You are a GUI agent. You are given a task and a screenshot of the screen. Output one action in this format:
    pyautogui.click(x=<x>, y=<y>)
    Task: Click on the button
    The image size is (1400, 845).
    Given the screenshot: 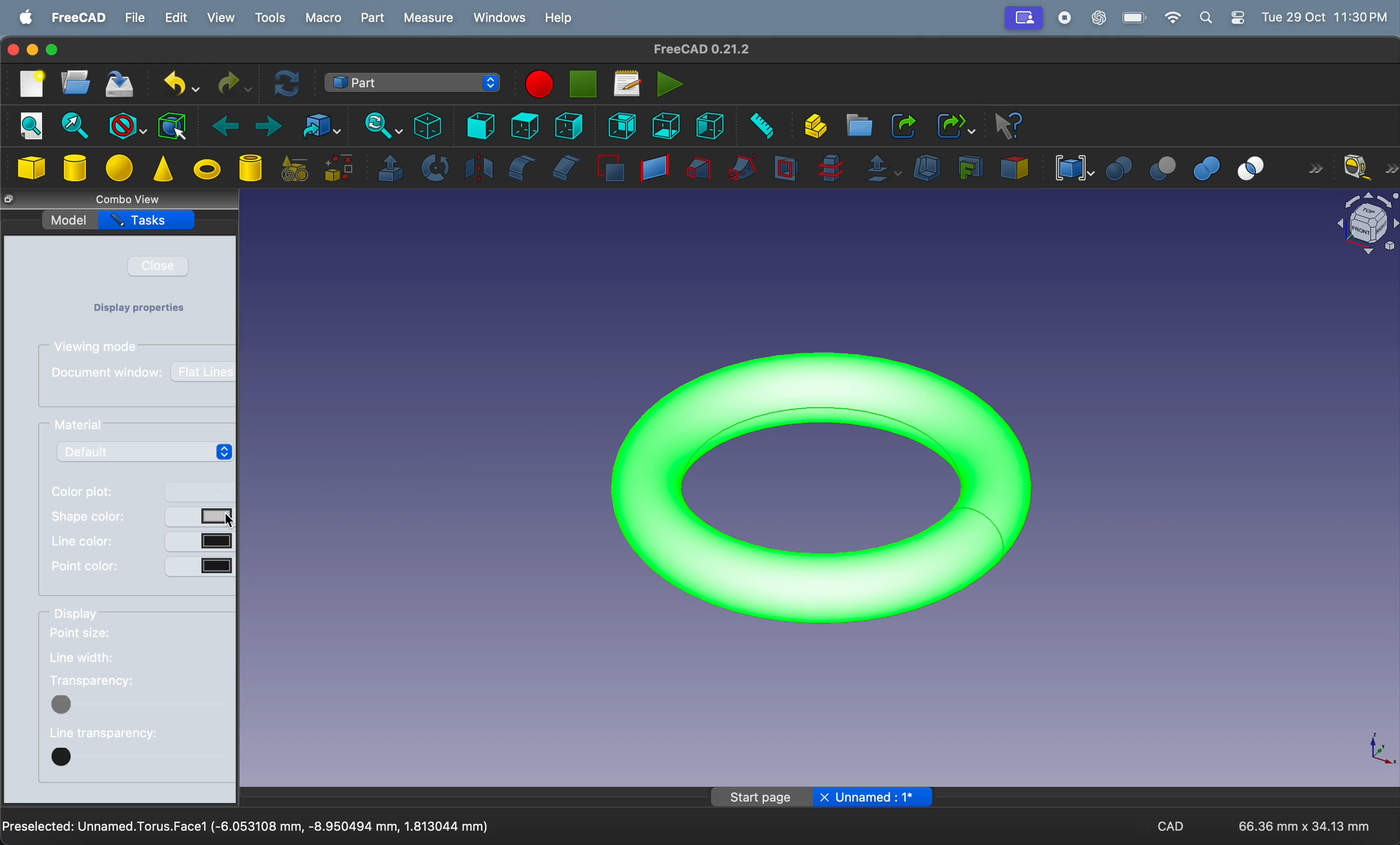 What is the action you would take?
    pyautogui.click(x=140, y=704)
    